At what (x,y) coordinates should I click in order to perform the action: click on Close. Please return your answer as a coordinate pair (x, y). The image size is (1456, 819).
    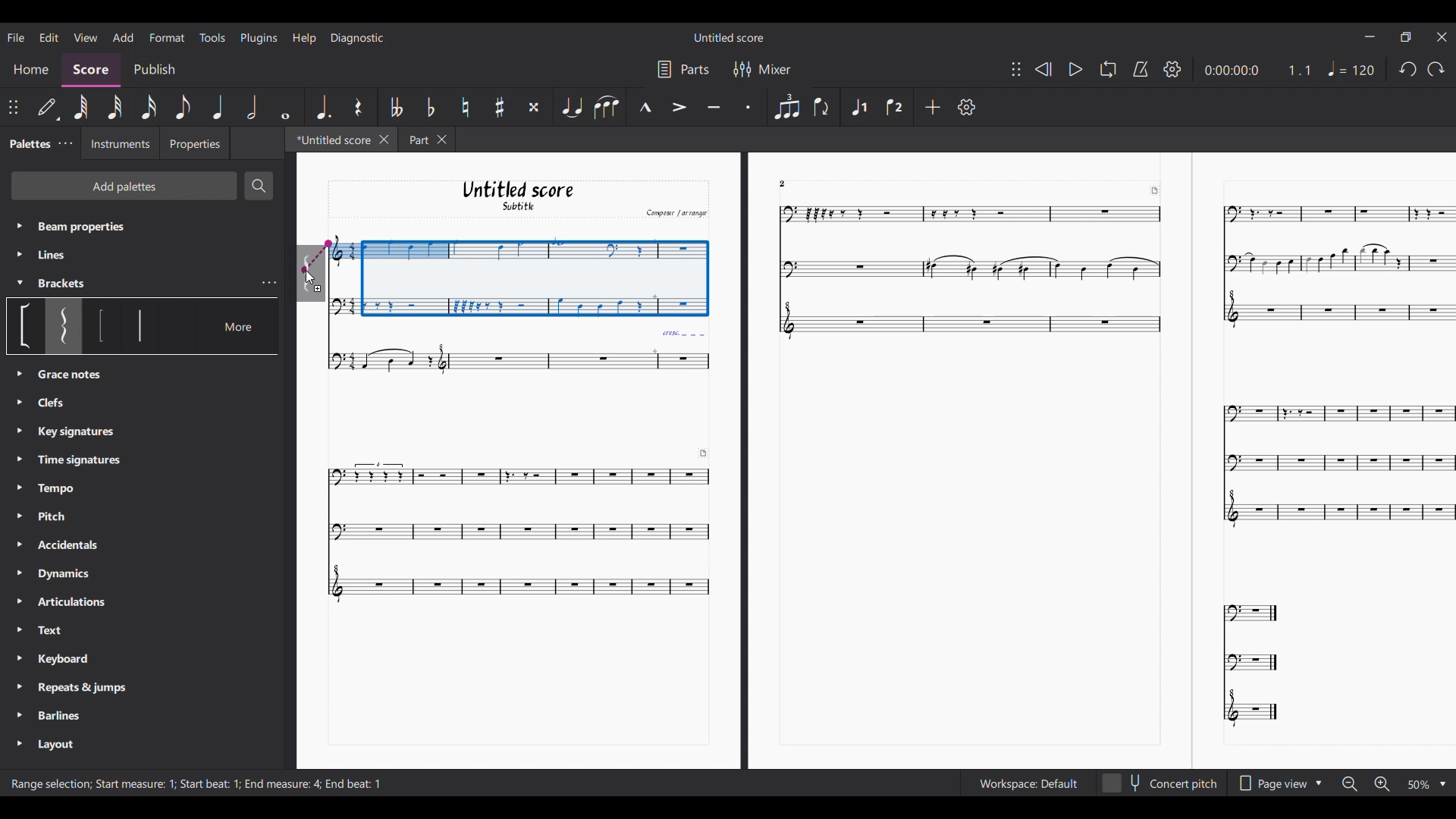
    Looking at the image, I should click on (444, 140).